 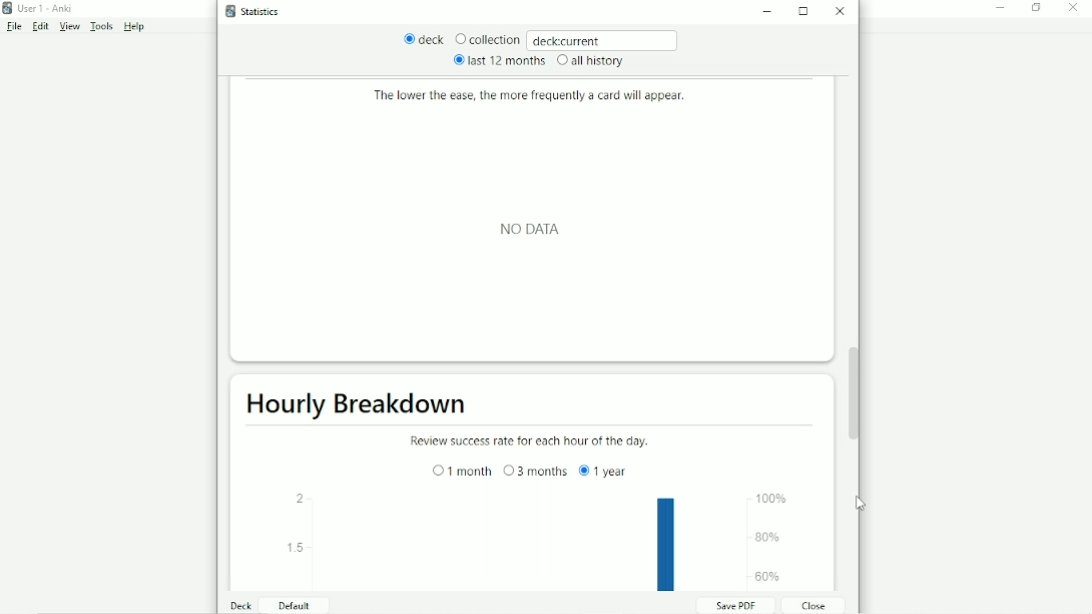 I want to click on Help, so click(x=135, y=27).